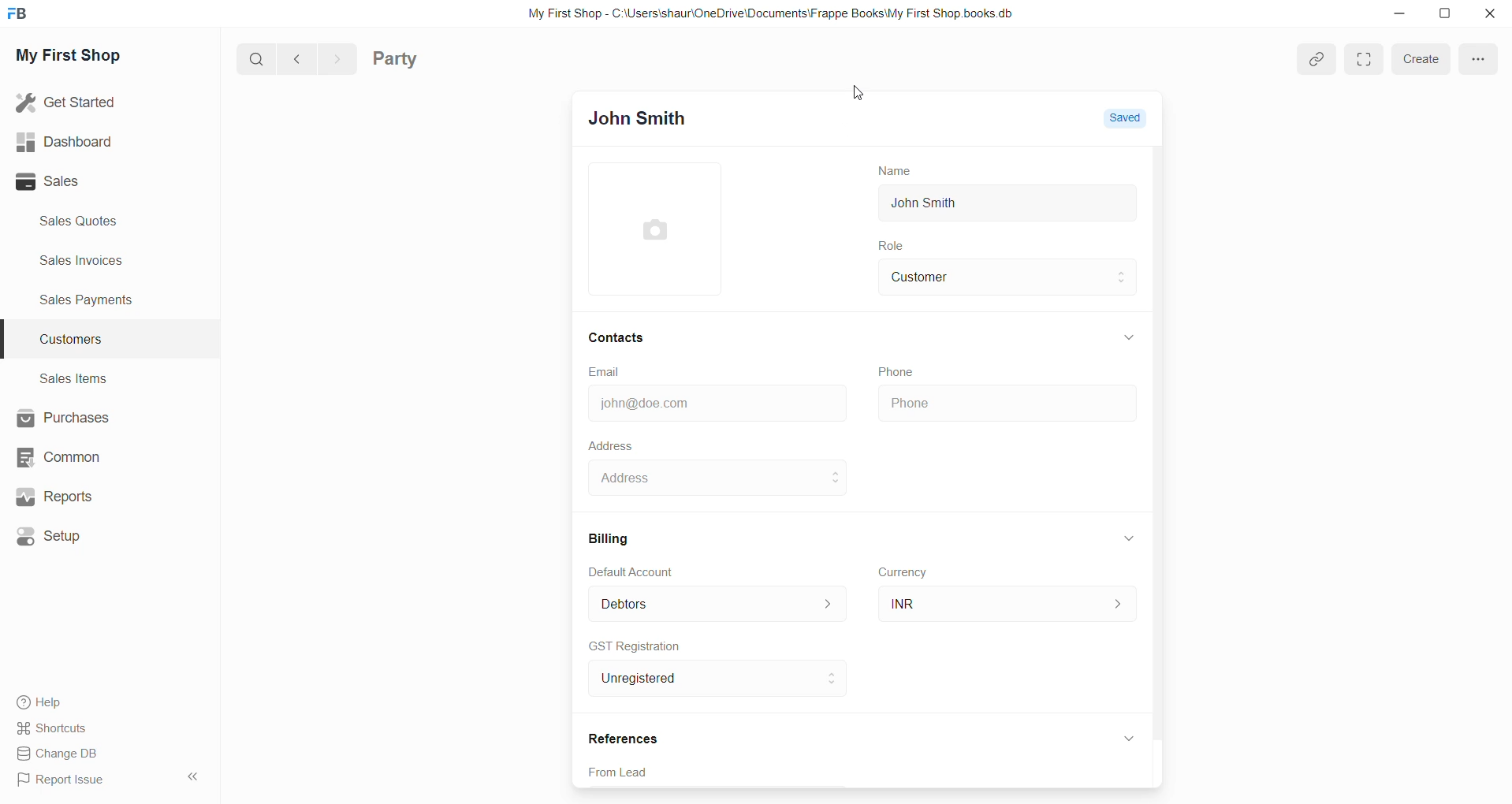 The image size is (1512, 804). What do you see at coordinates (1447, 16) in the screenshot?
I see `resize` at bounding box center [1447, 16].